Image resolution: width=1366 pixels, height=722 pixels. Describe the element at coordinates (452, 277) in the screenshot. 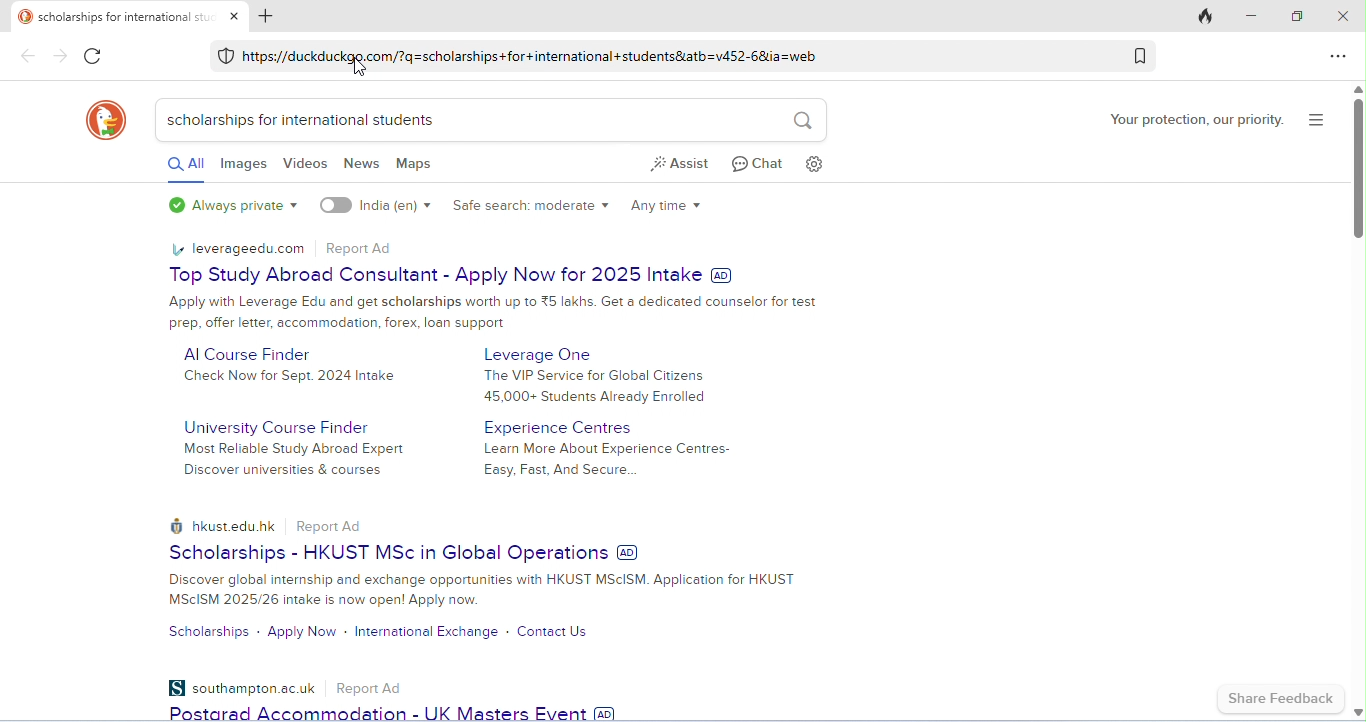

I see `Top Study Abroad Consultant - Apply Now for 2025 Intake ` at that location.